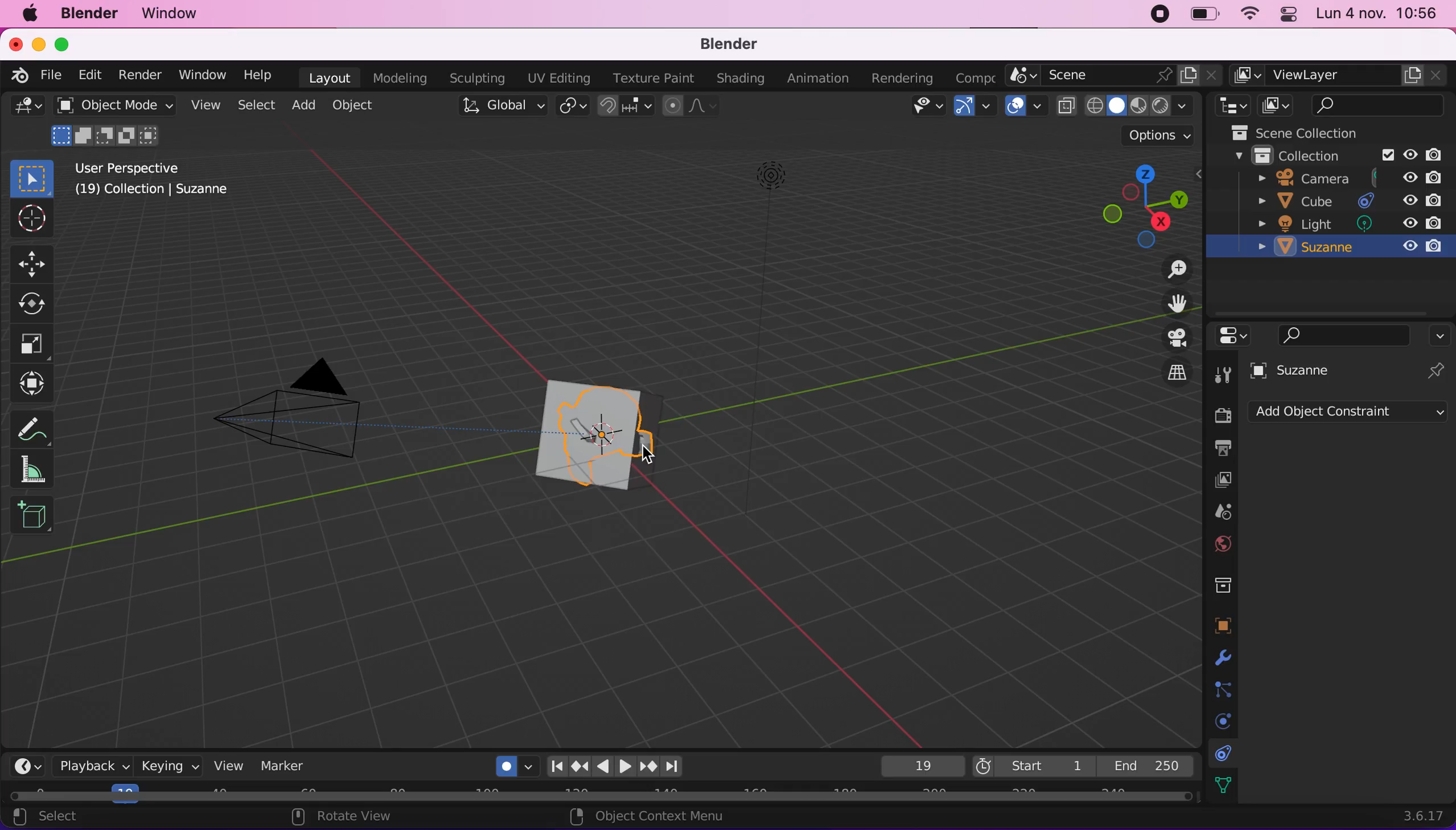 The width and height of the screenshot is (1456, 830). What do you see at coordinates (1434, 75) in the screenshot?
I see `remove layer` at bounding box center [1434, 75].